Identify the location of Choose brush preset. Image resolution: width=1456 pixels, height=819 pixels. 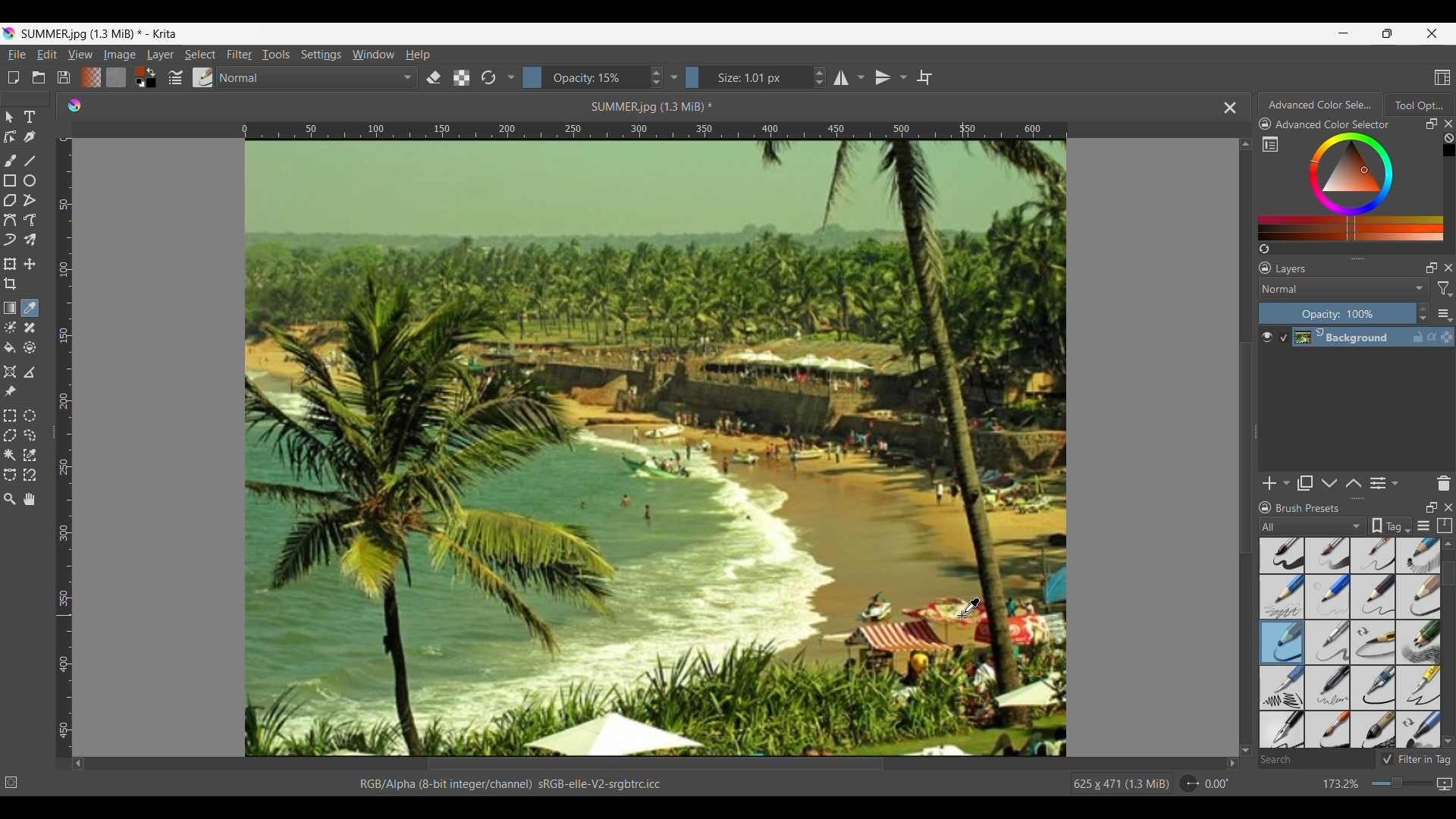
(203, 77).